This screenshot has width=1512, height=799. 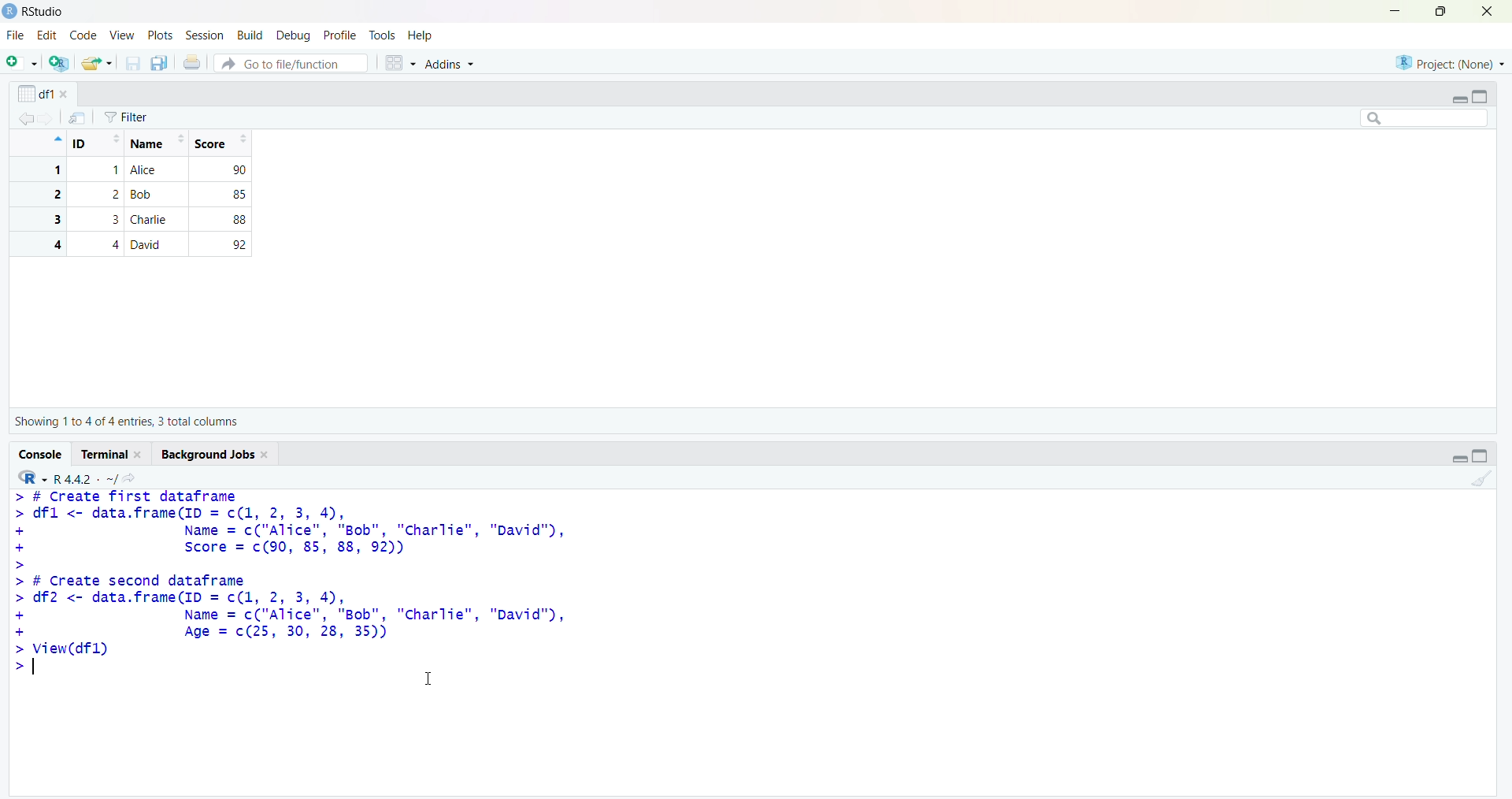 What do you see at coordinates (291, 582) in the screenshot?
I see `> # Create first dataframe> dfl <- data.frame(ID = c(1, 2, 3, 4),+ Name = c("Alice", "Bob", "charlie", "David"),+ Score = c(90, 85, 88, 92))>> # Create second dataframe> df2 <- data.frame(ID = c(1, 2, 3, 4),+ Name = c("Alice", "Bob", "Charlie", "David"),+ Age = c(25, 30, 28, 35))> View(dfl)> =` at bounding box center [291, 582].